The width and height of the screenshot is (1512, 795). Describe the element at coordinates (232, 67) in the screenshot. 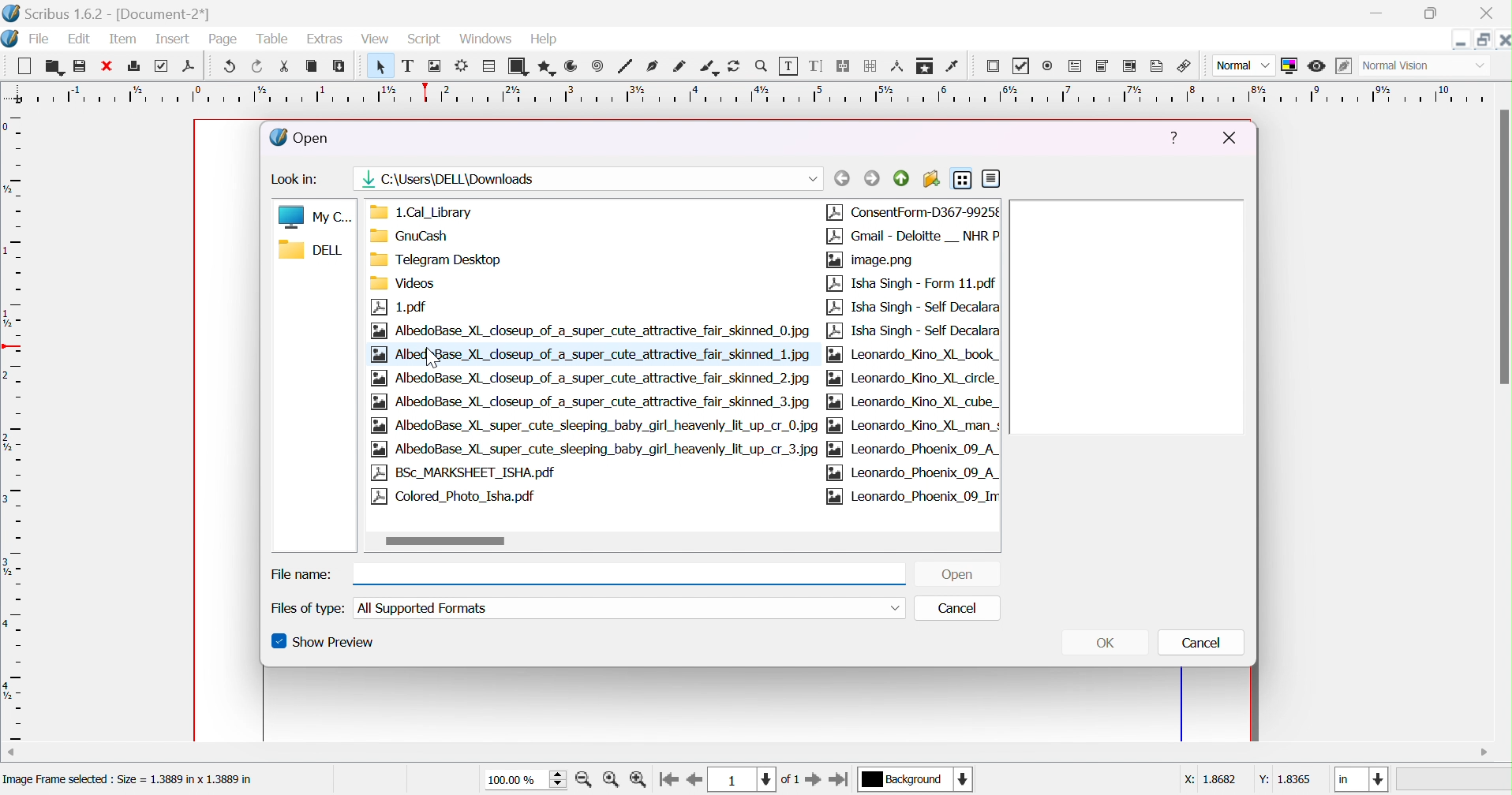

I see `undo` at that location.